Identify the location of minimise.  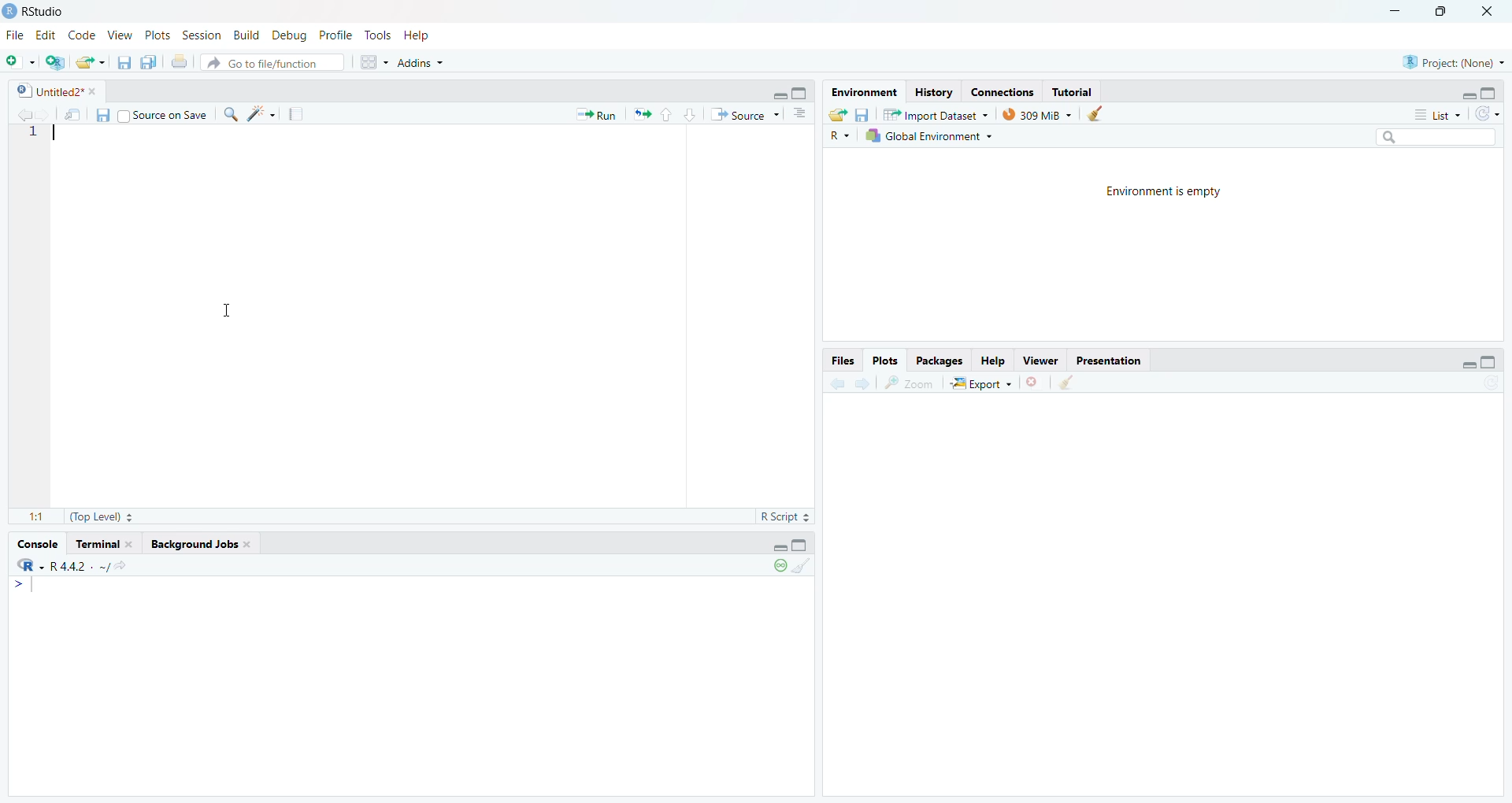
(1463, 365).